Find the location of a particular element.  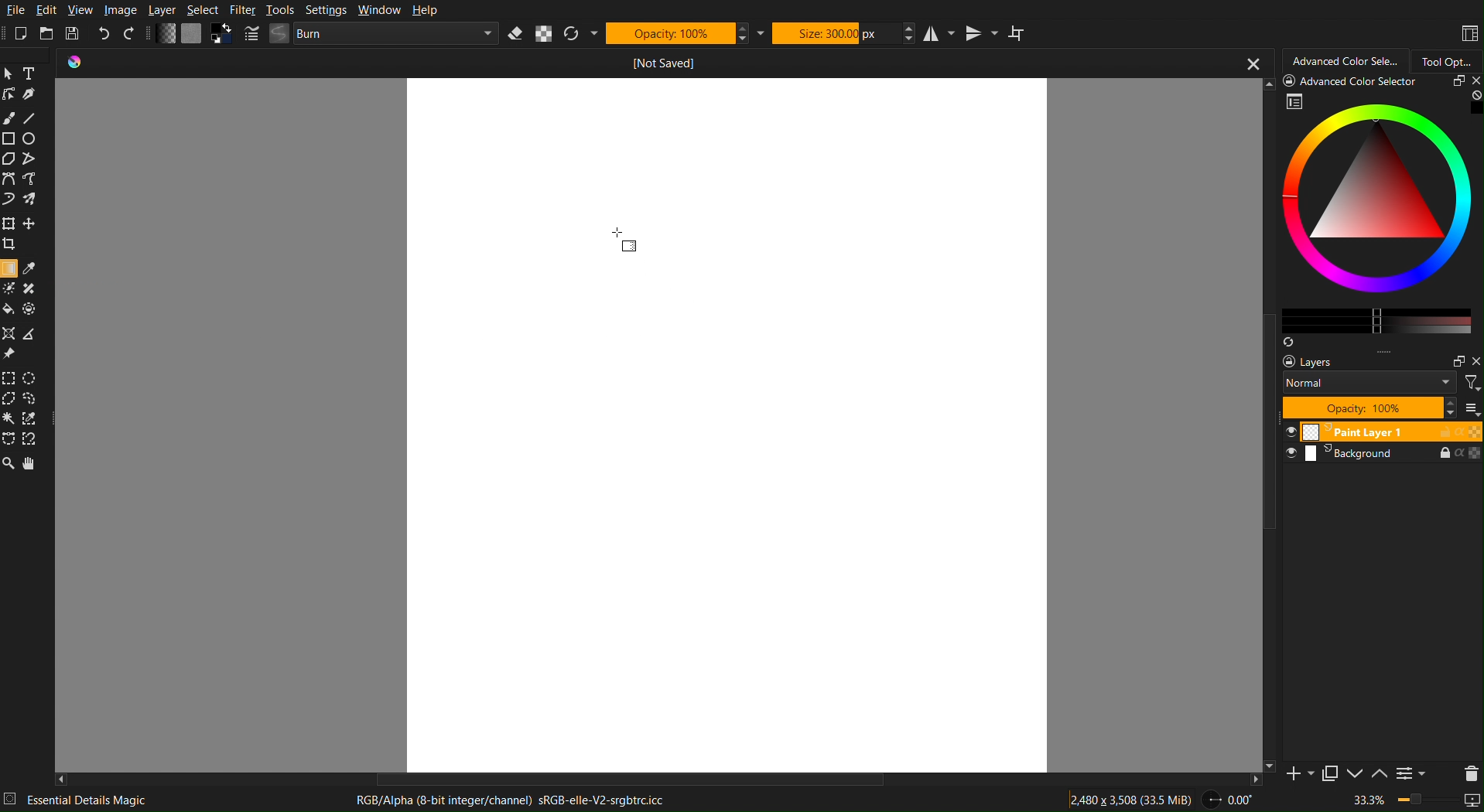

Line is located at coordinates (30, 118).